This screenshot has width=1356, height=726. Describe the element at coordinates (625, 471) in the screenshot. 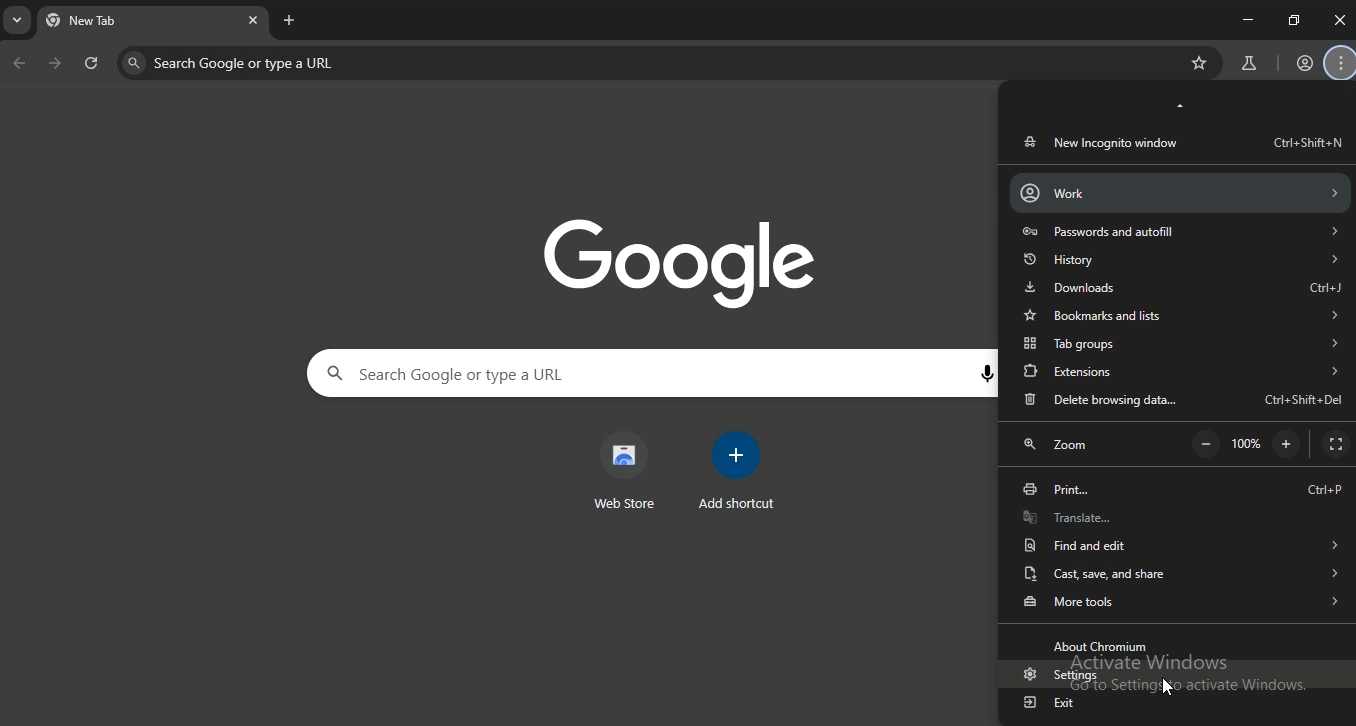

I see `web store` at that location.